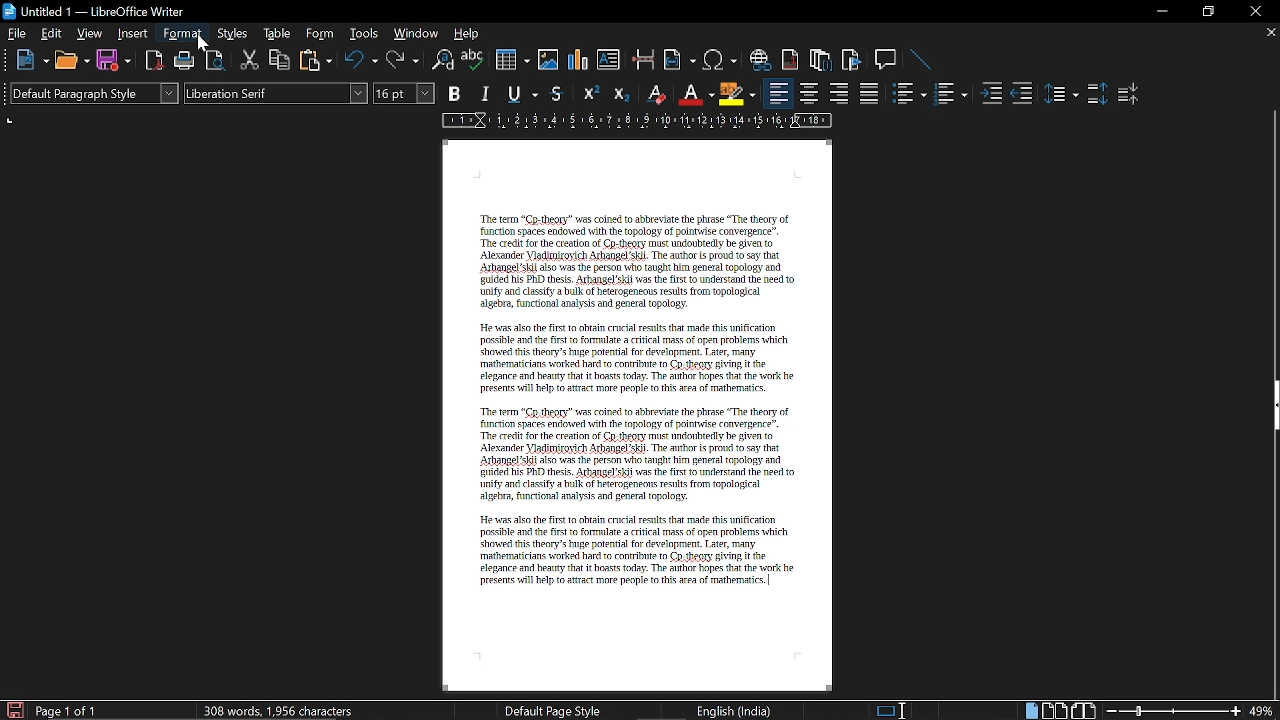  What do you see at coordinates (1083, 708) in the screenshot?
I see `Book view` at bounding box center [1083, 708].